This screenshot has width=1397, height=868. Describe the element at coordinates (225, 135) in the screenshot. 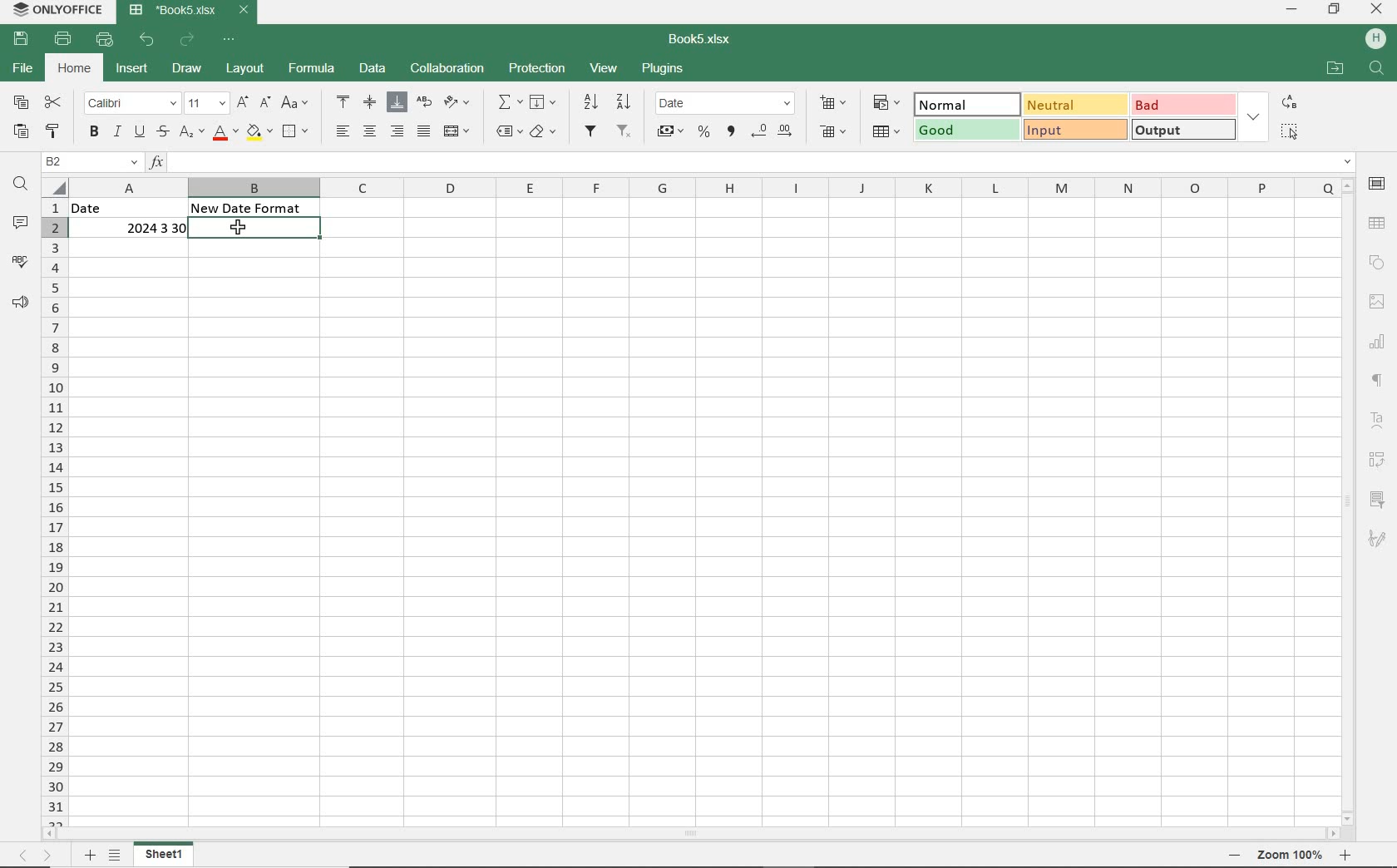

I see `FONT COLOR` at that location.